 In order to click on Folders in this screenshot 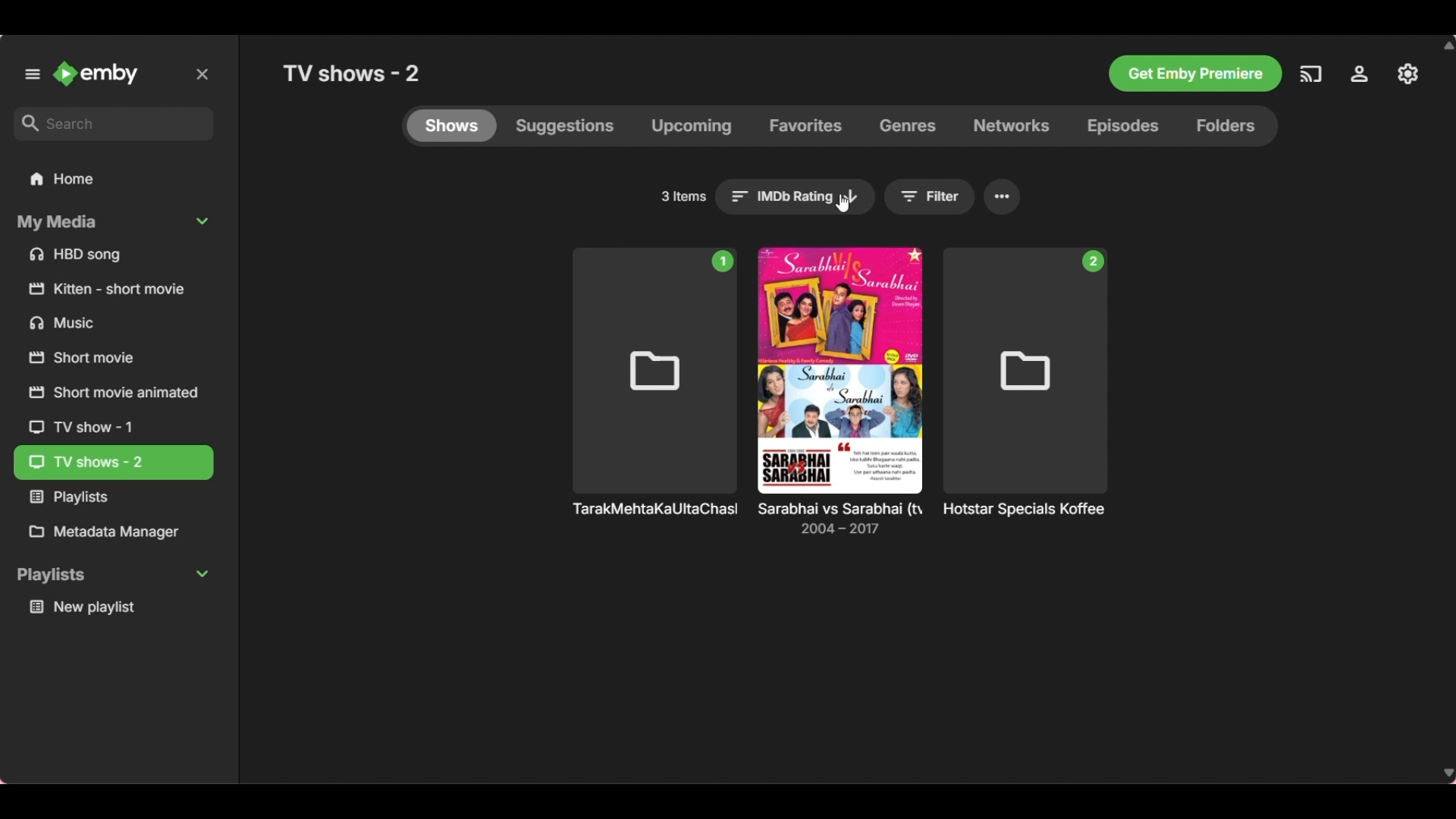, I will do `click(1232, 127)`.